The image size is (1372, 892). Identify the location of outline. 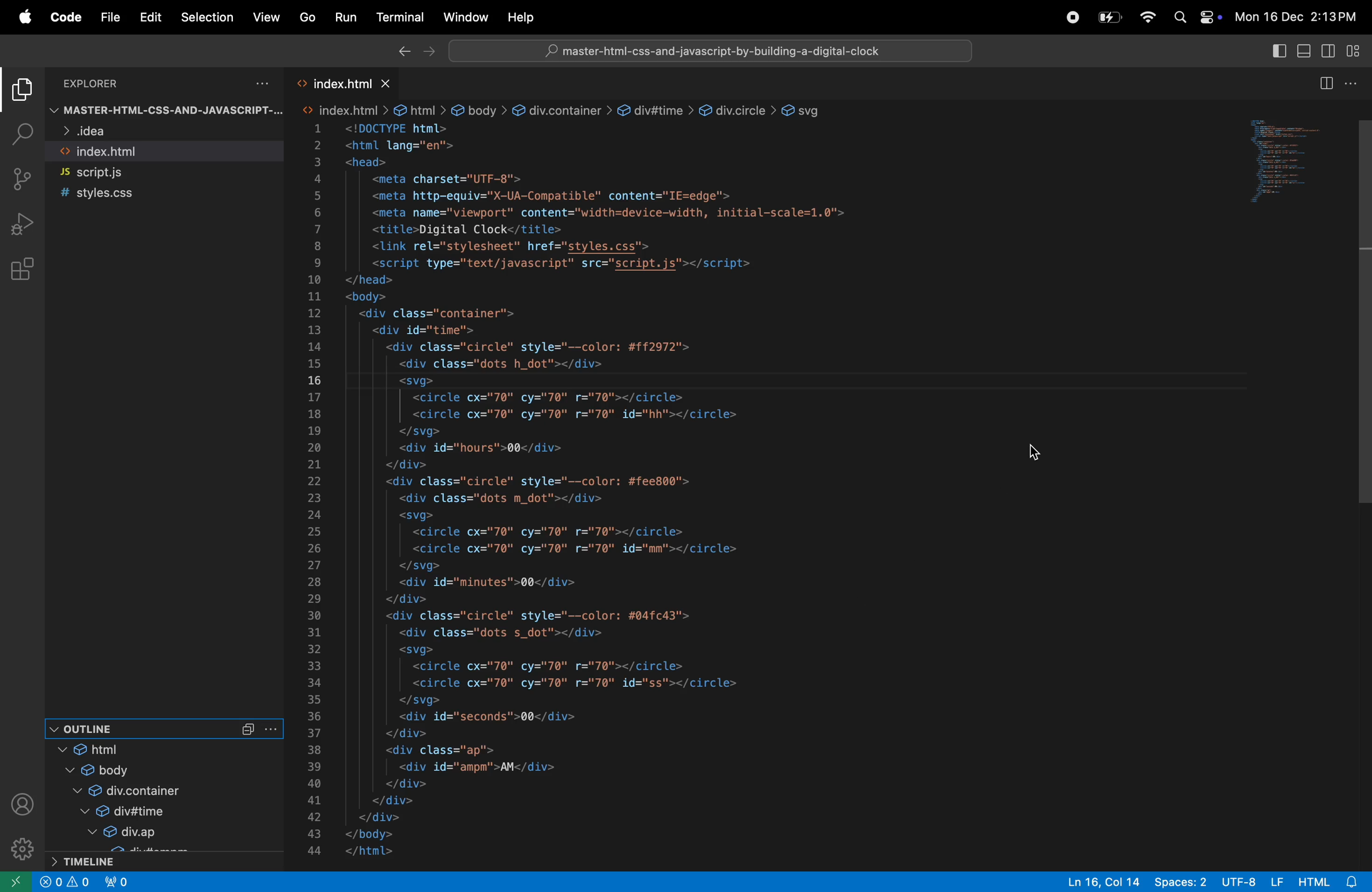
(137, 729).